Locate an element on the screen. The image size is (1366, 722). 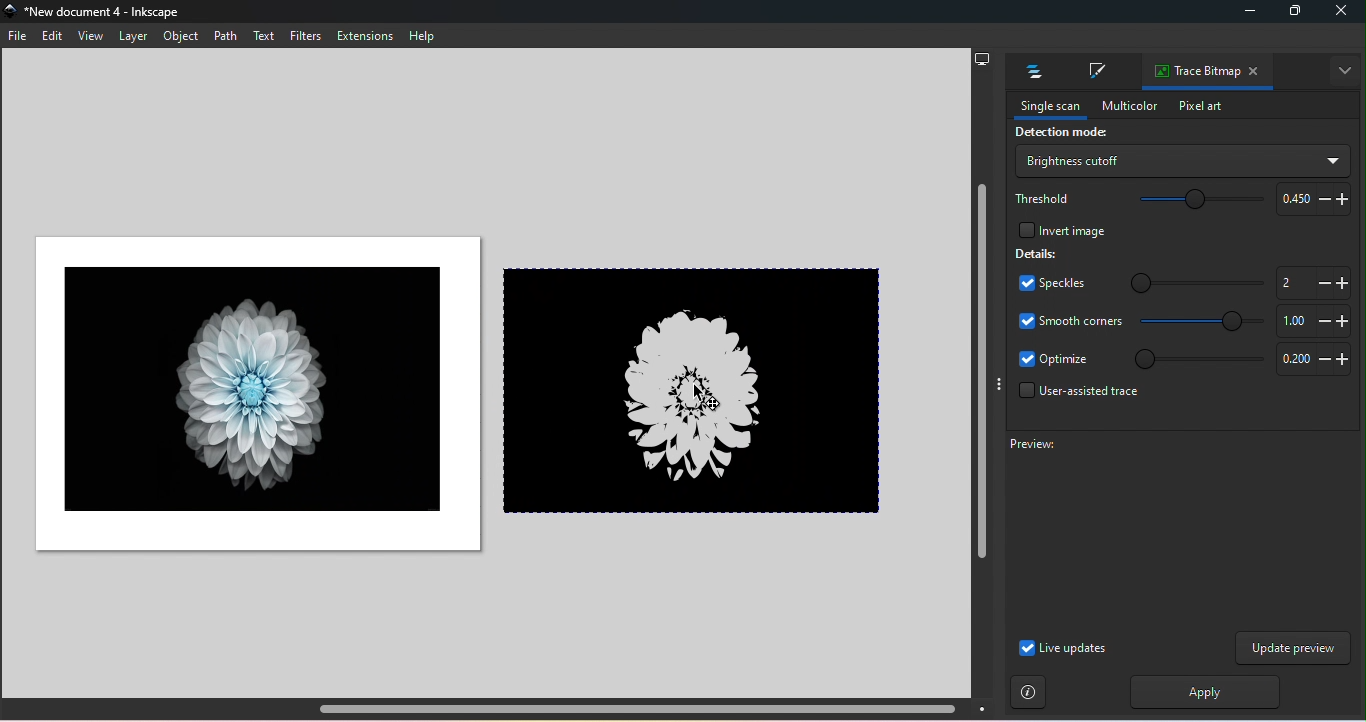
cursor is located at coordinates (698, 392).